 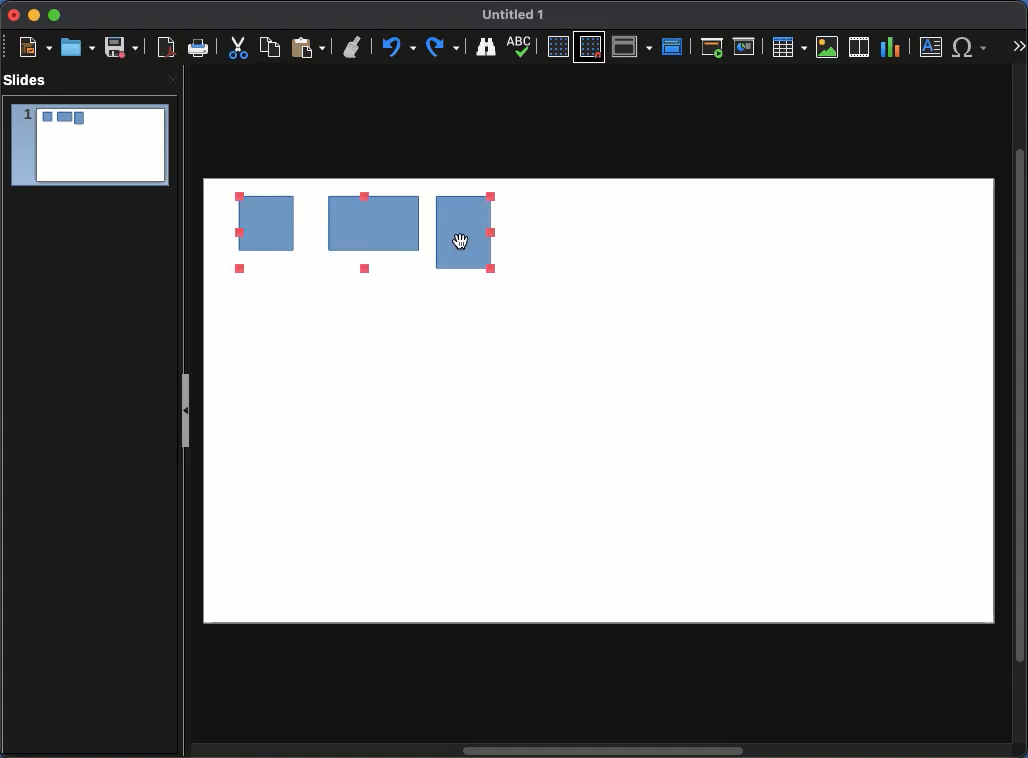 What do you see at coordinates (712, 47) in the screenshot?
I see `Start from first slide` at bounding box center [712, 47].